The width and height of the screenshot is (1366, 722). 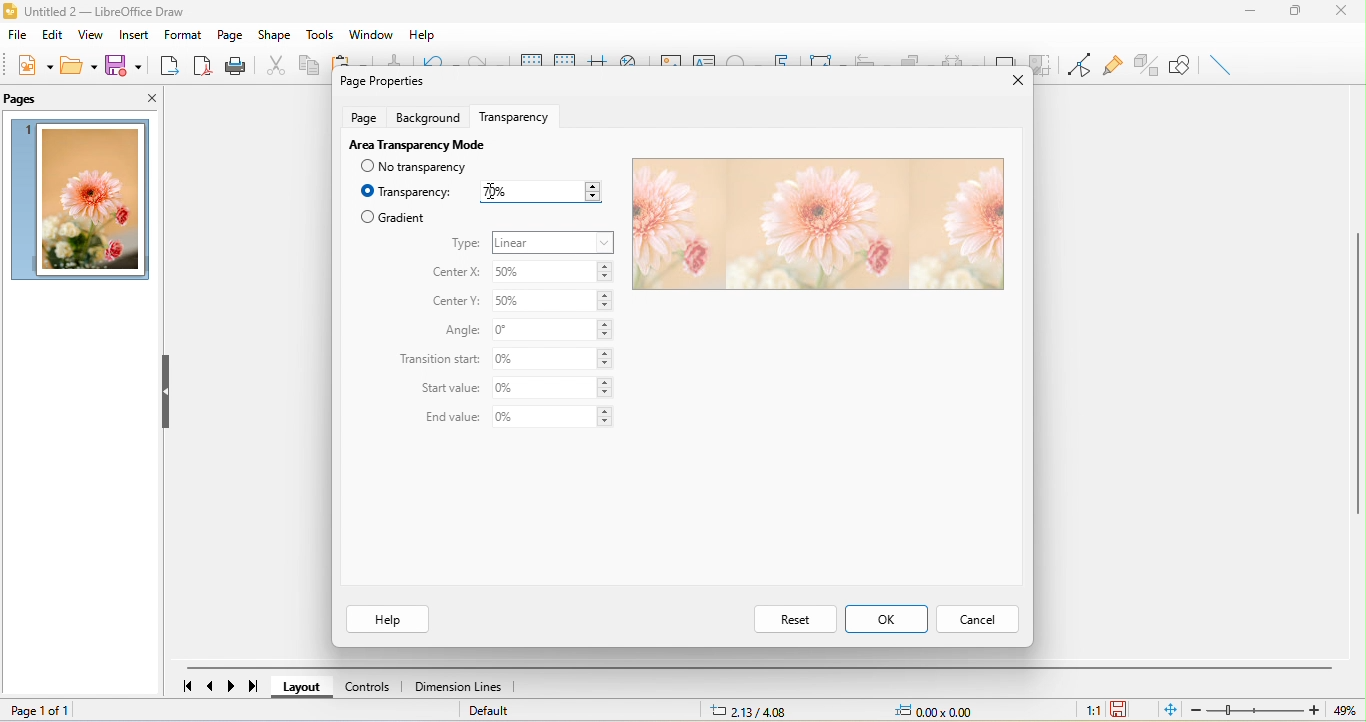 What do you see at coordinates (1221, 64) in the screenshot?
I see `insert line` at bounding box center [1221, 64].